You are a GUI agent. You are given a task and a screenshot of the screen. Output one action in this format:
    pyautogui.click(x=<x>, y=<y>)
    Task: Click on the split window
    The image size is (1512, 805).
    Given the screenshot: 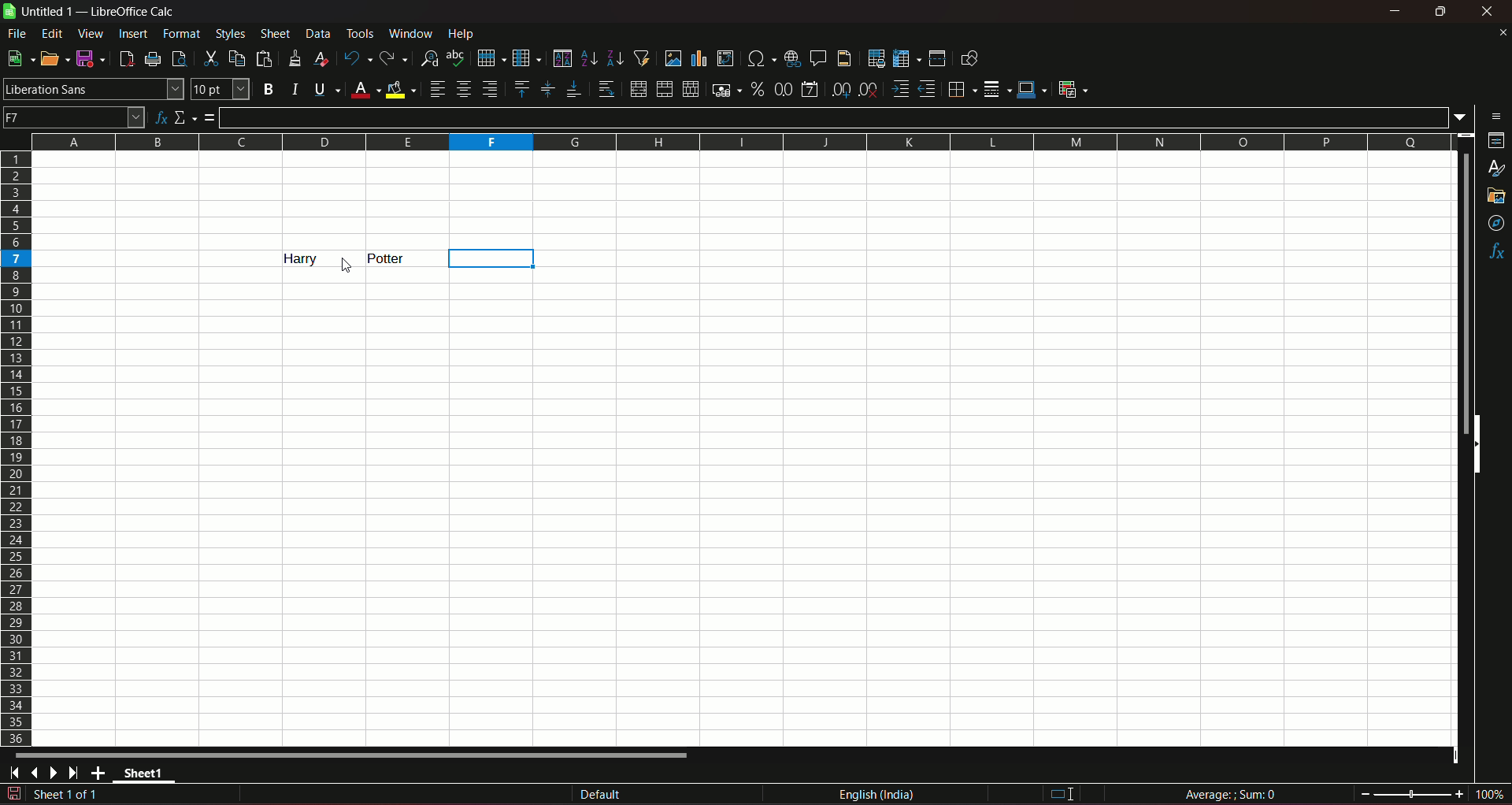 What is the action you would take?
    pyautogui.click(x=937, y=58)
    